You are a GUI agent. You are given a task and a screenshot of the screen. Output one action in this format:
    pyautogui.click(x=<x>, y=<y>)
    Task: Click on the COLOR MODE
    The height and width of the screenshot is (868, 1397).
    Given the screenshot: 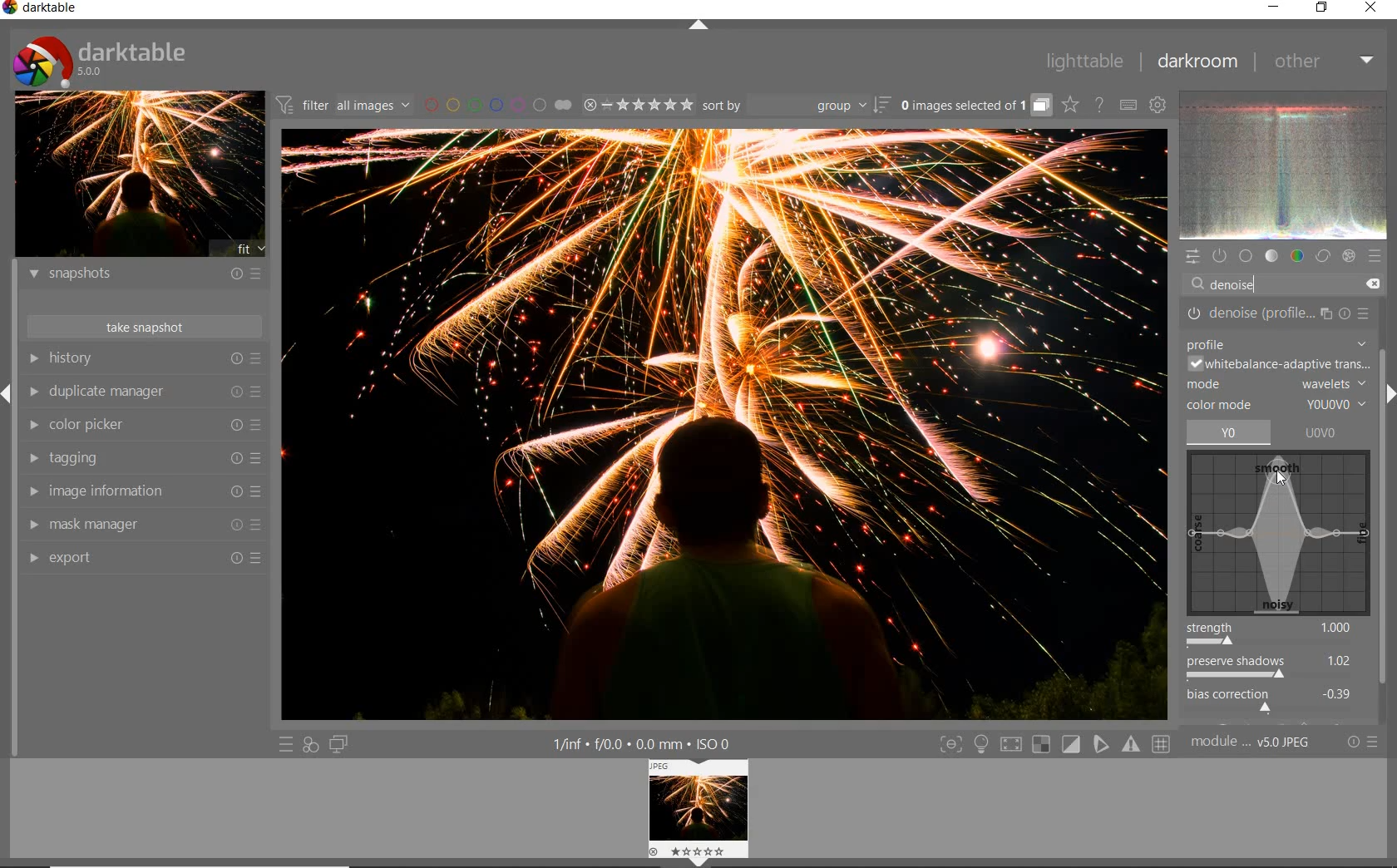 What is the action you would take?
    pyautogui.click(x=1276, y=406)
    